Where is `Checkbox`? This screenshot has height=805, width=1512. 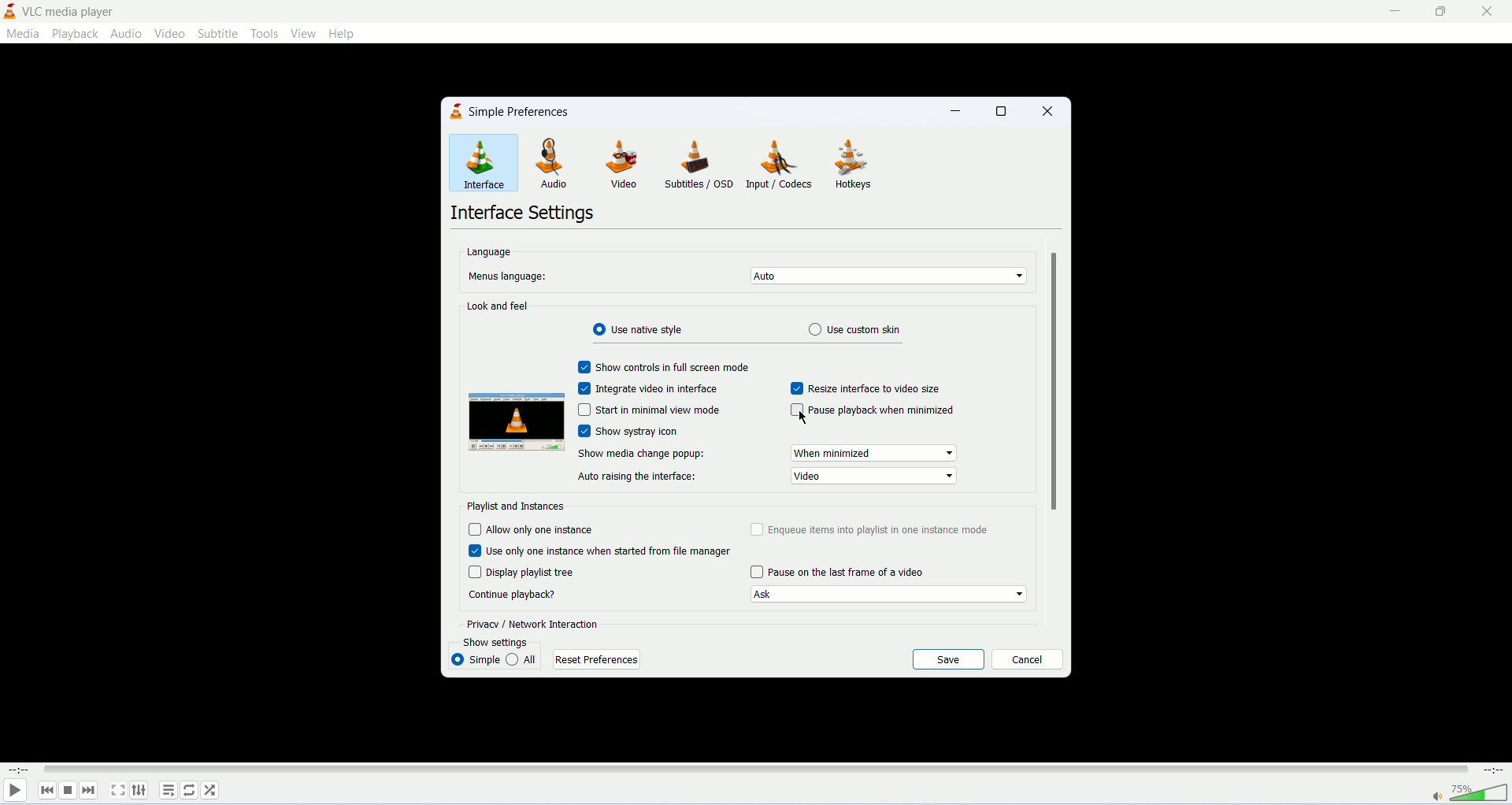
Checkbox is located at coordinates (756, 572).